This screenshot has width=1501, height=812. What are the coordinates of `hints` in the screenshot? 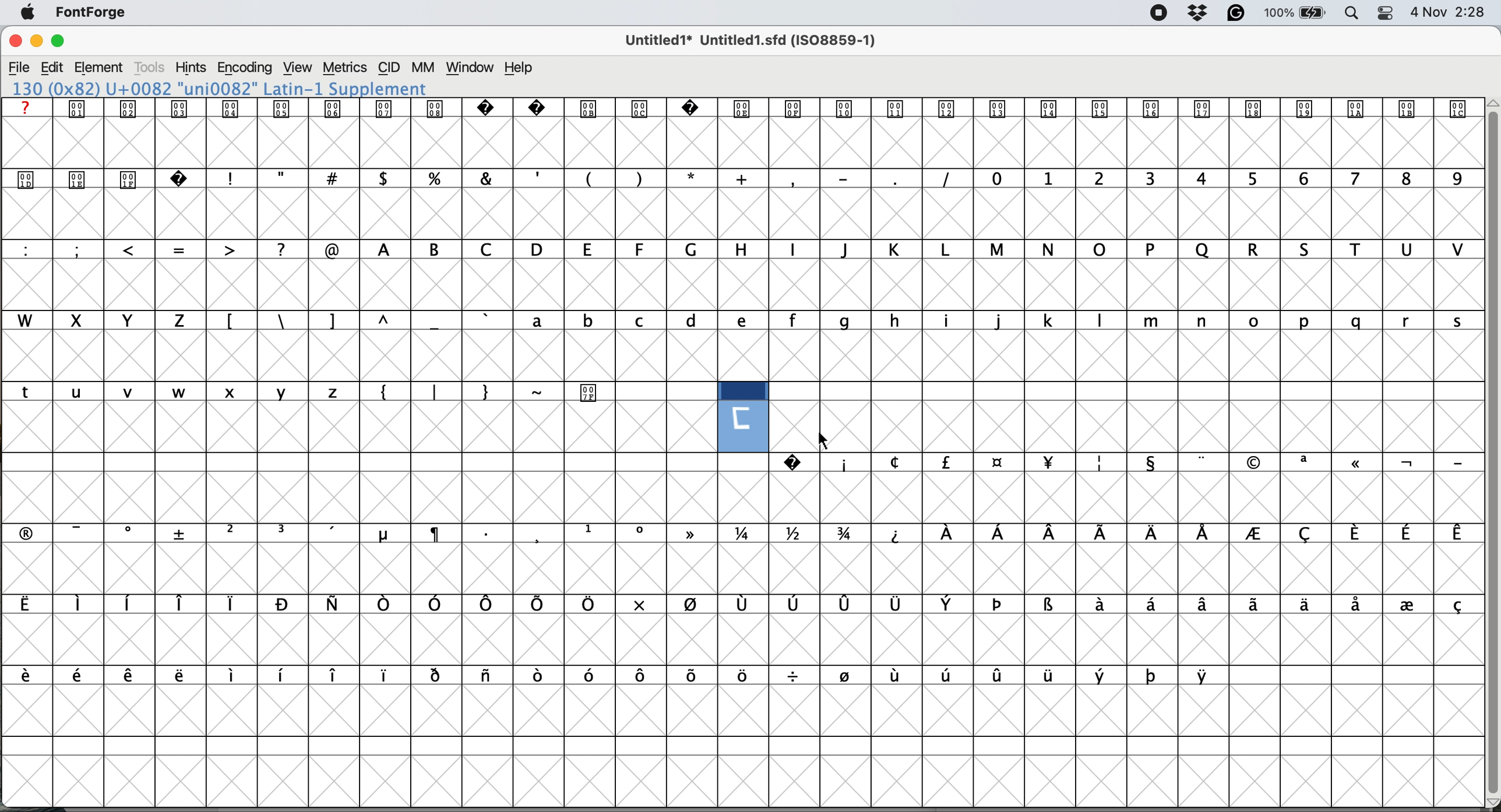 It's located at (191, 67).